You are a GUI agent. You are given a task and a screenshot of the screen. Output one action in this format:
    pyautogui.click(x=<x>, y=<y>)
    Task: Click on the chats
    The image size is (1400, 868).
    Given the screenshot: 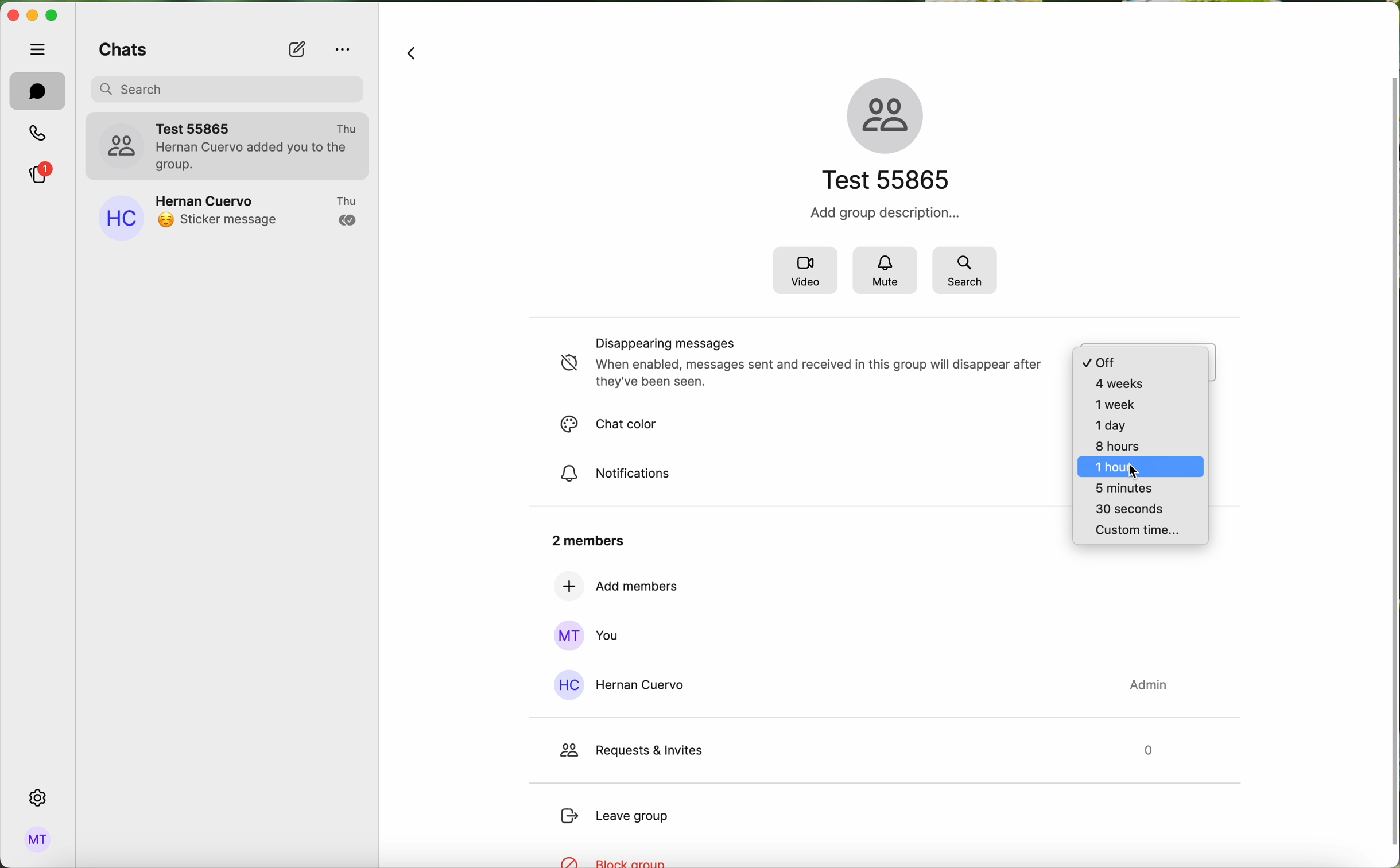 What is the action you would take?
    pyautogui.click(x=120, y=49)
    